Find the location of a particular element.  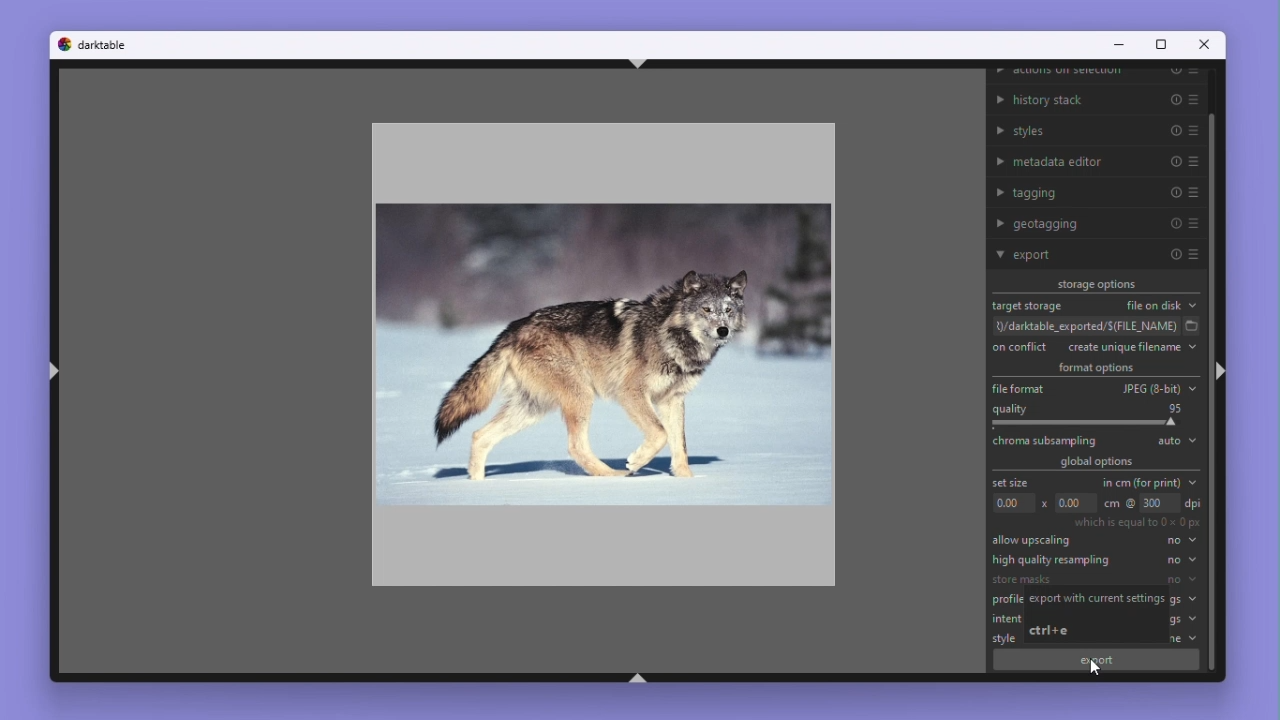

95 is located at coordinates (1170, 410).